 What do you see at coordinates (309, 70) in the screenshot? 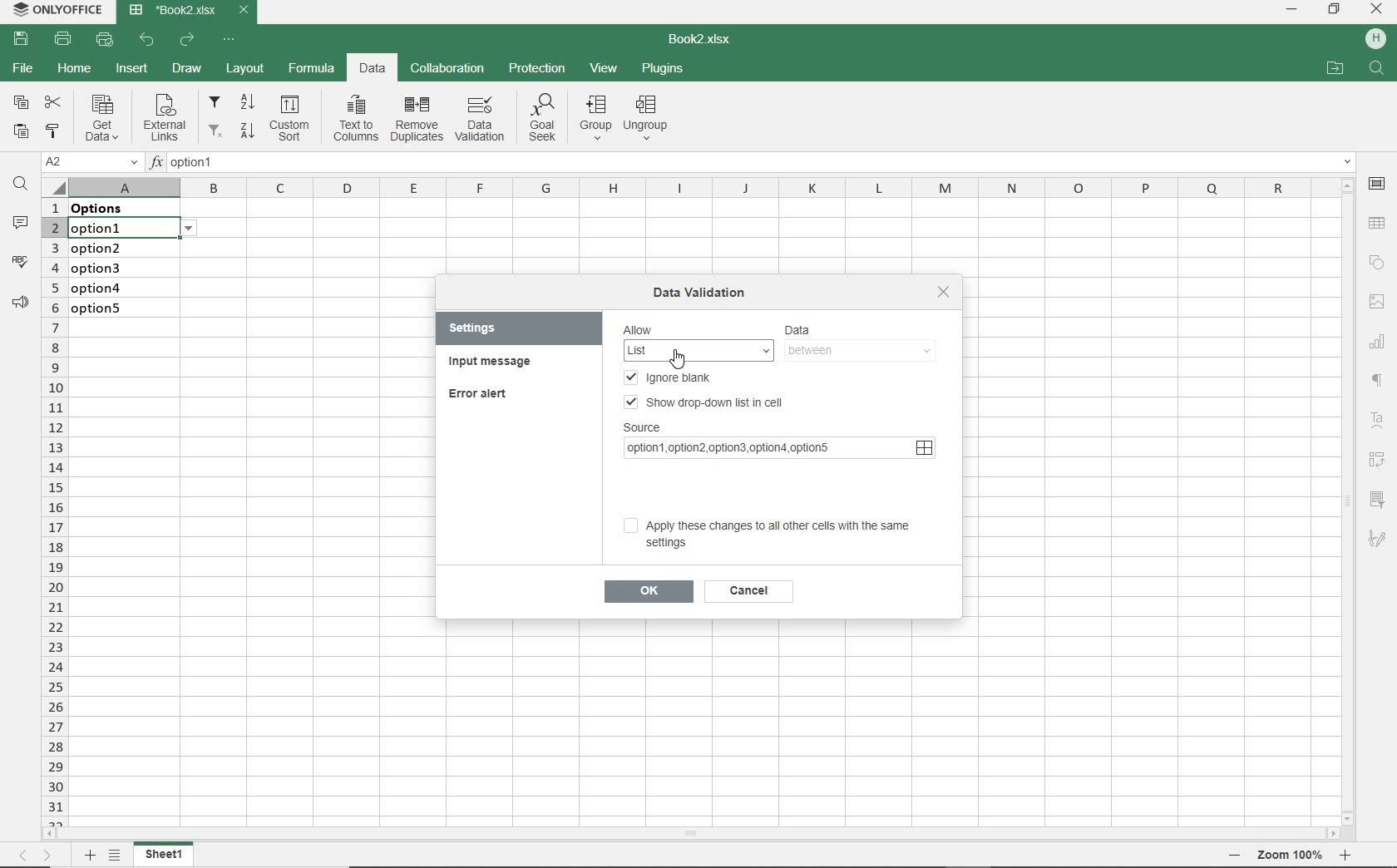
I see `FORMULA` at bounding box center [309, 70].